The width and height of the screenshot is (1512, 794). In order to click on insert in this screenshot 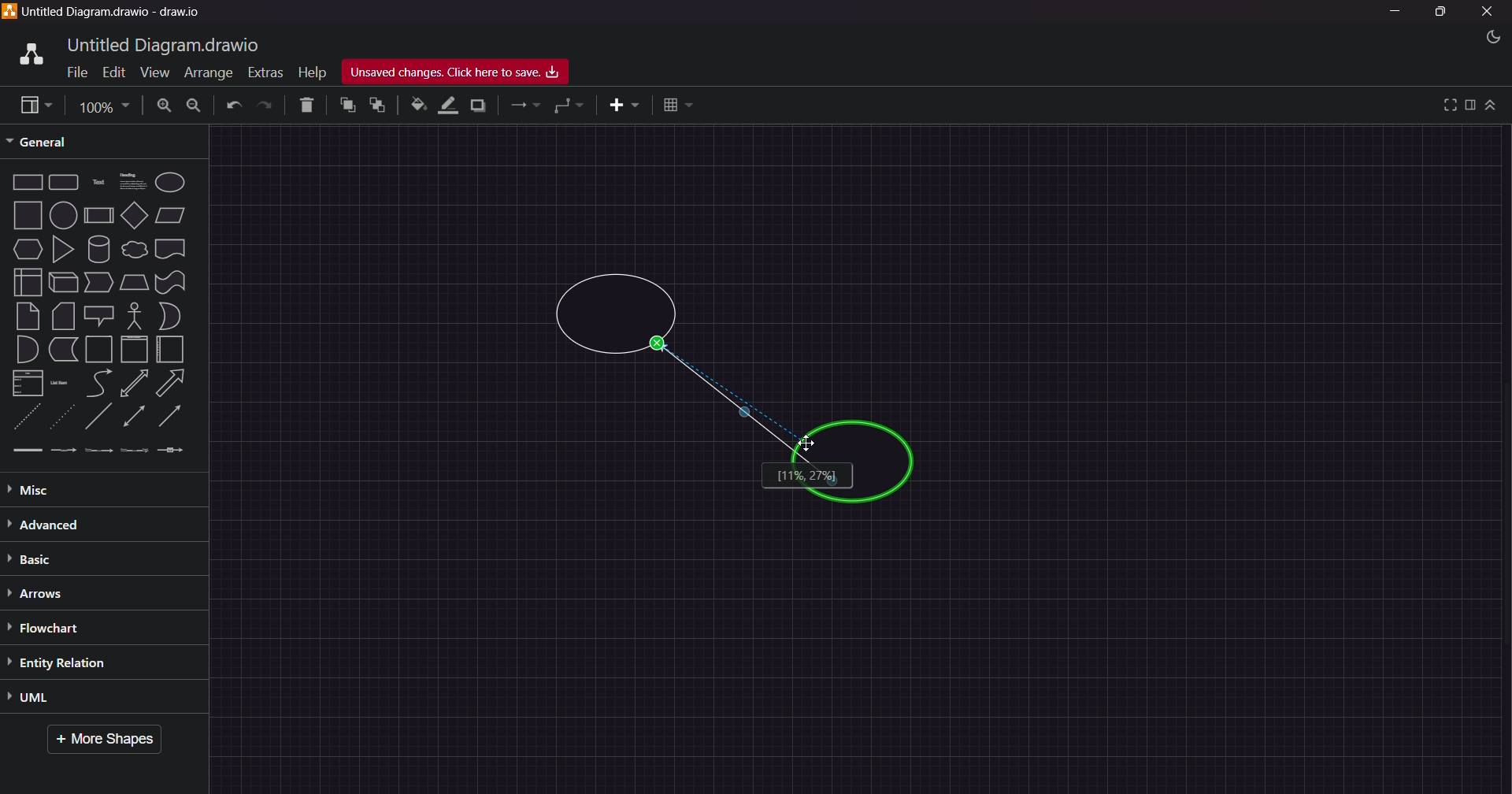, I will do `click(618, 106)`.